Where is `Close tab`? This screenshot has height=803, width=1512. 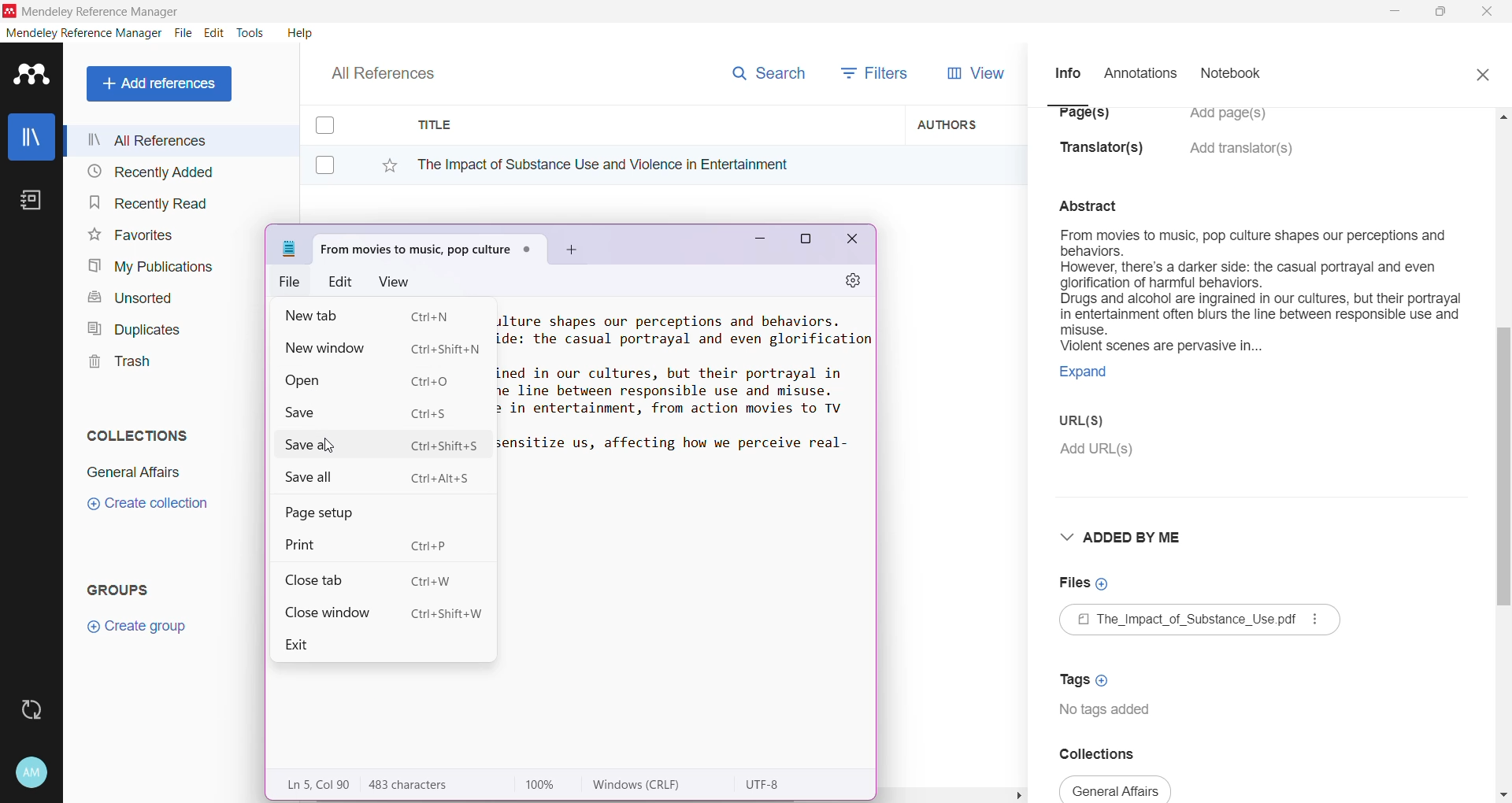 Close tab is located at coordinates (372, 579).